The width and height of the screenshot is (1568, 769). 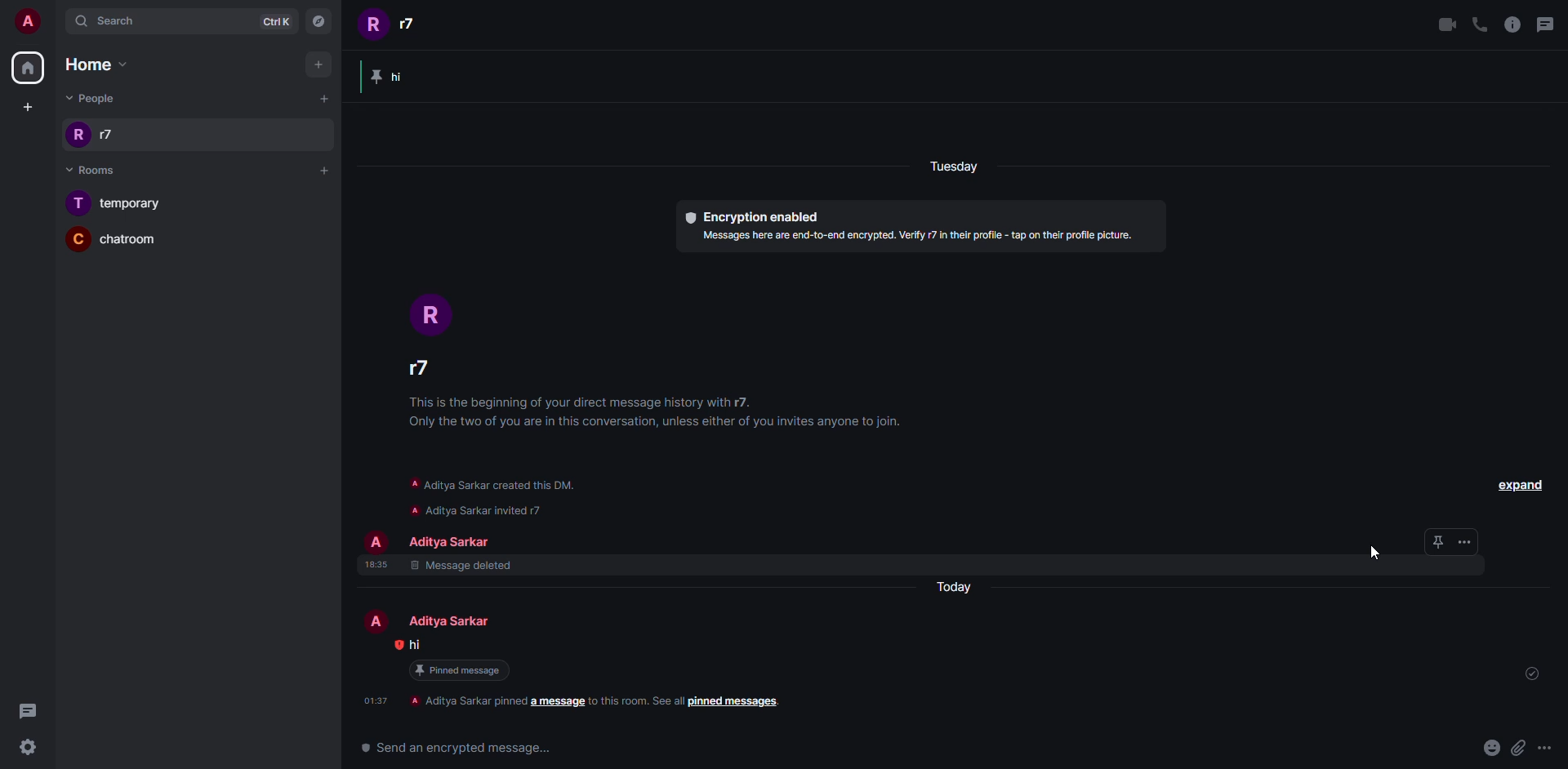 What do you see at coordinates (921, 241) in the screenshot?
I see `info` at bounding box center [921, 241].